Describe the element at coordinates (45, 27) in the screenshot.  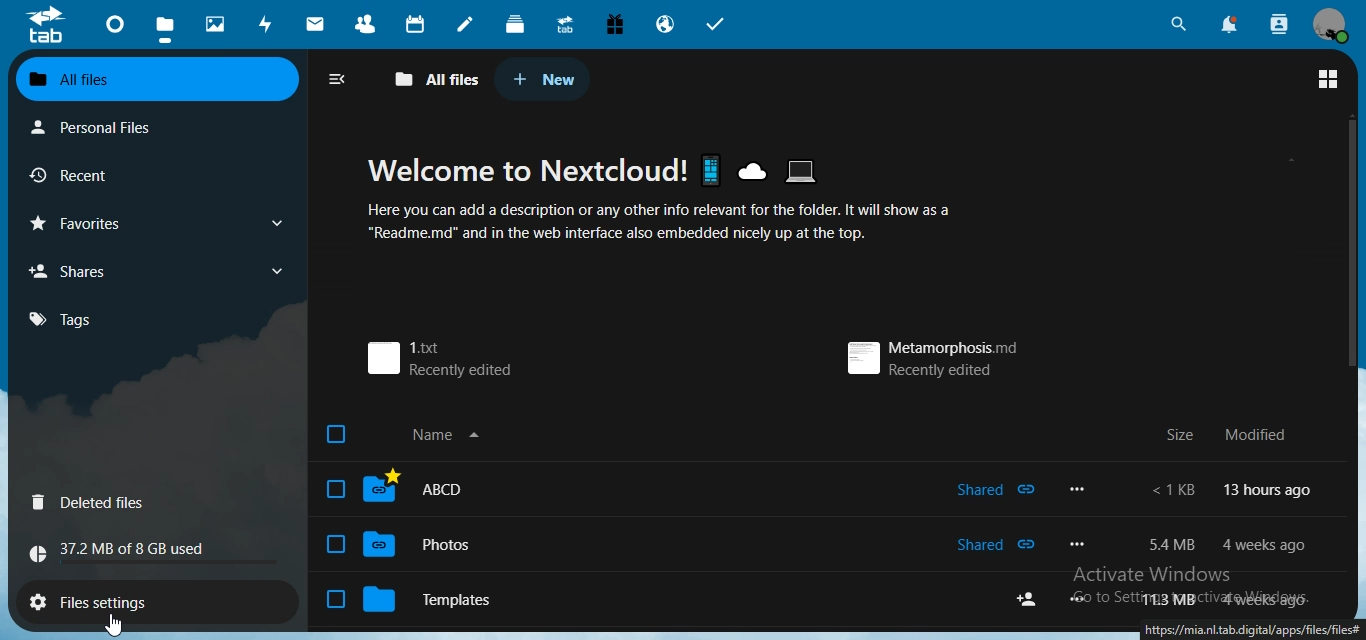
I see `icon` at that location.